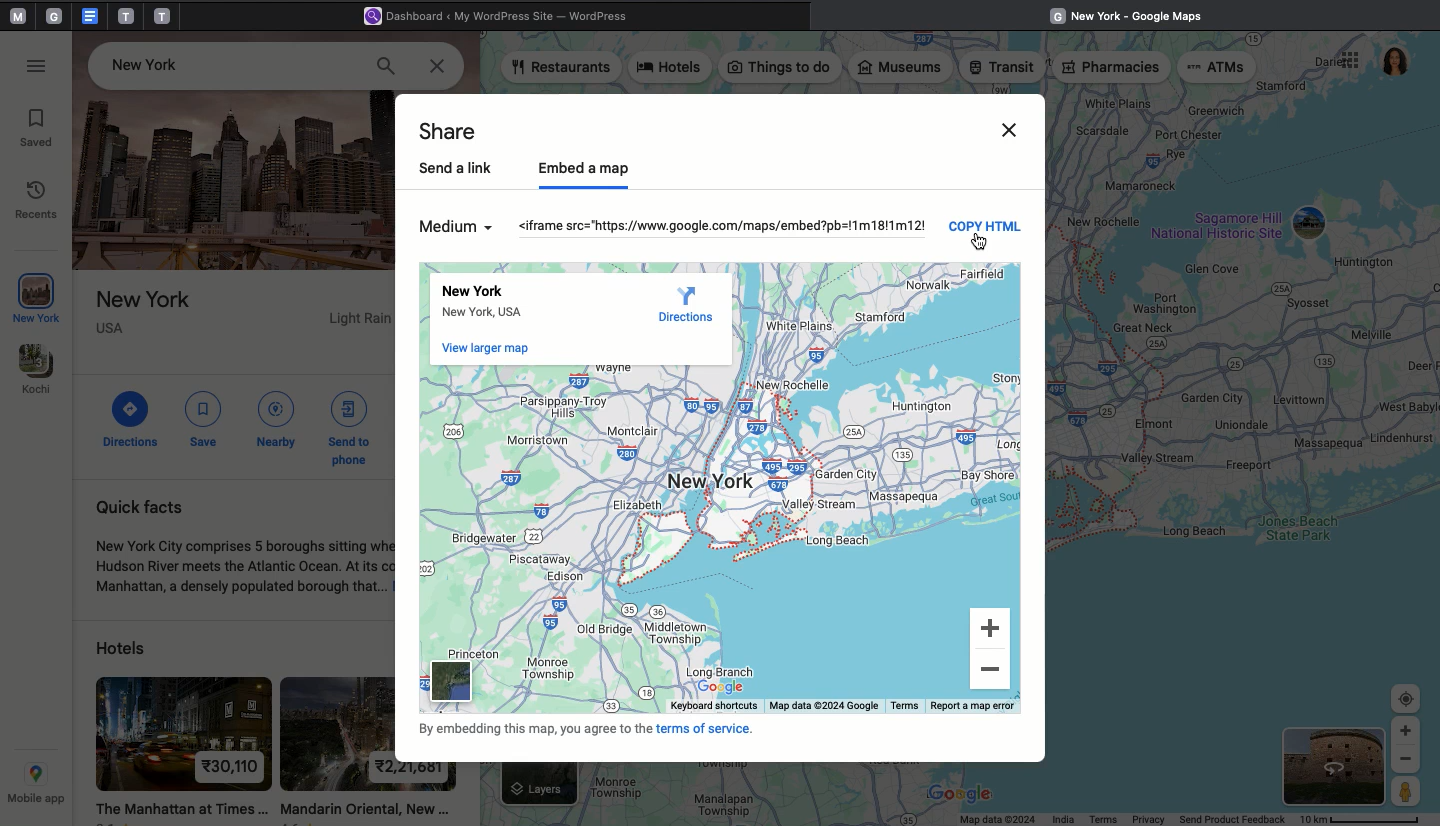 The height and width of the screenshot is (826, 1440). What do you see at coordinates (154, 62) in the screenshot?
I see `Place -New York` at bounding box center [154, 62].